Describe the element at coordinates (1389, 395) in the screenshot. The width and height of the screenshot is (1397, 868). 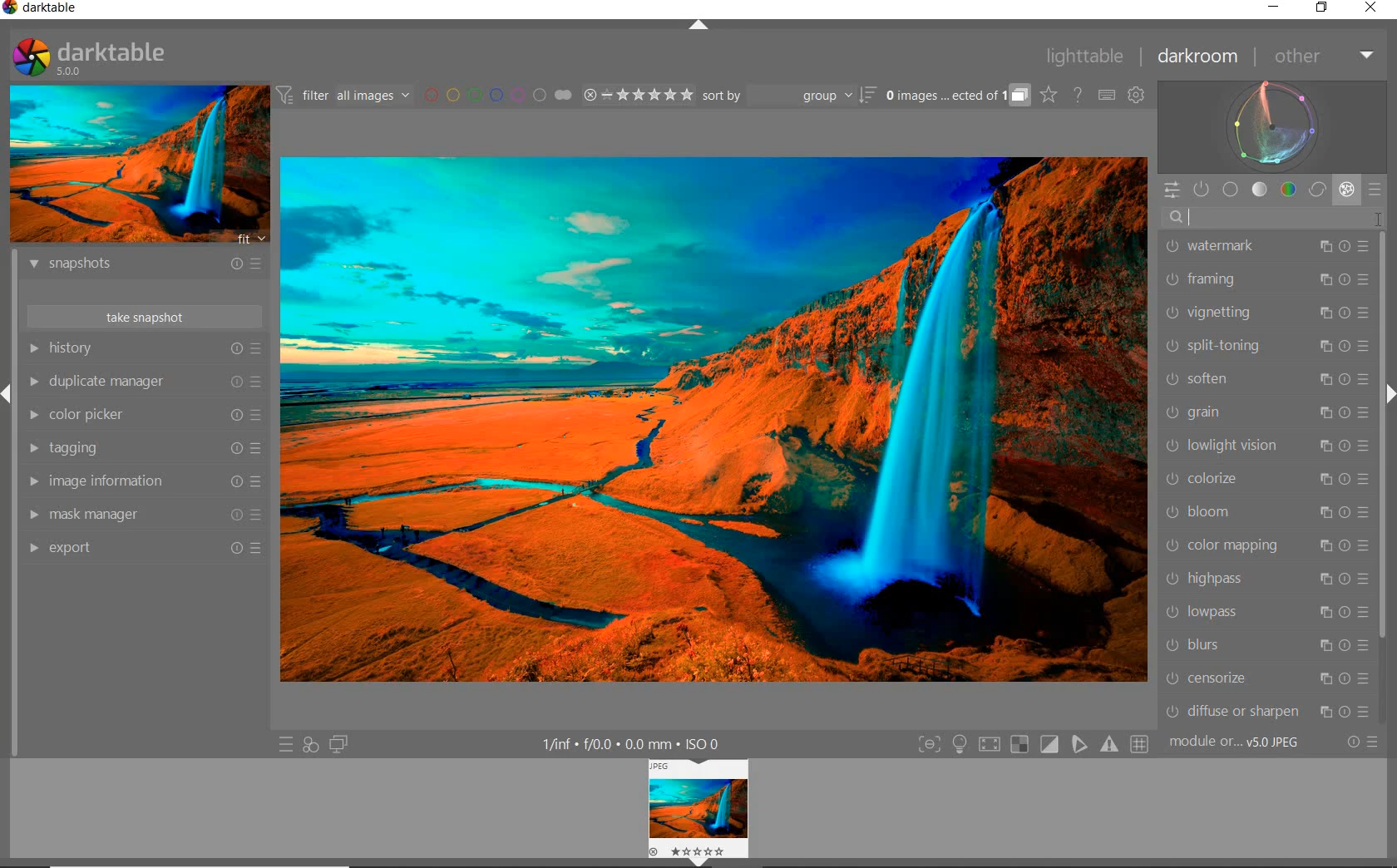
I see `Expand/Collapse` at that location.